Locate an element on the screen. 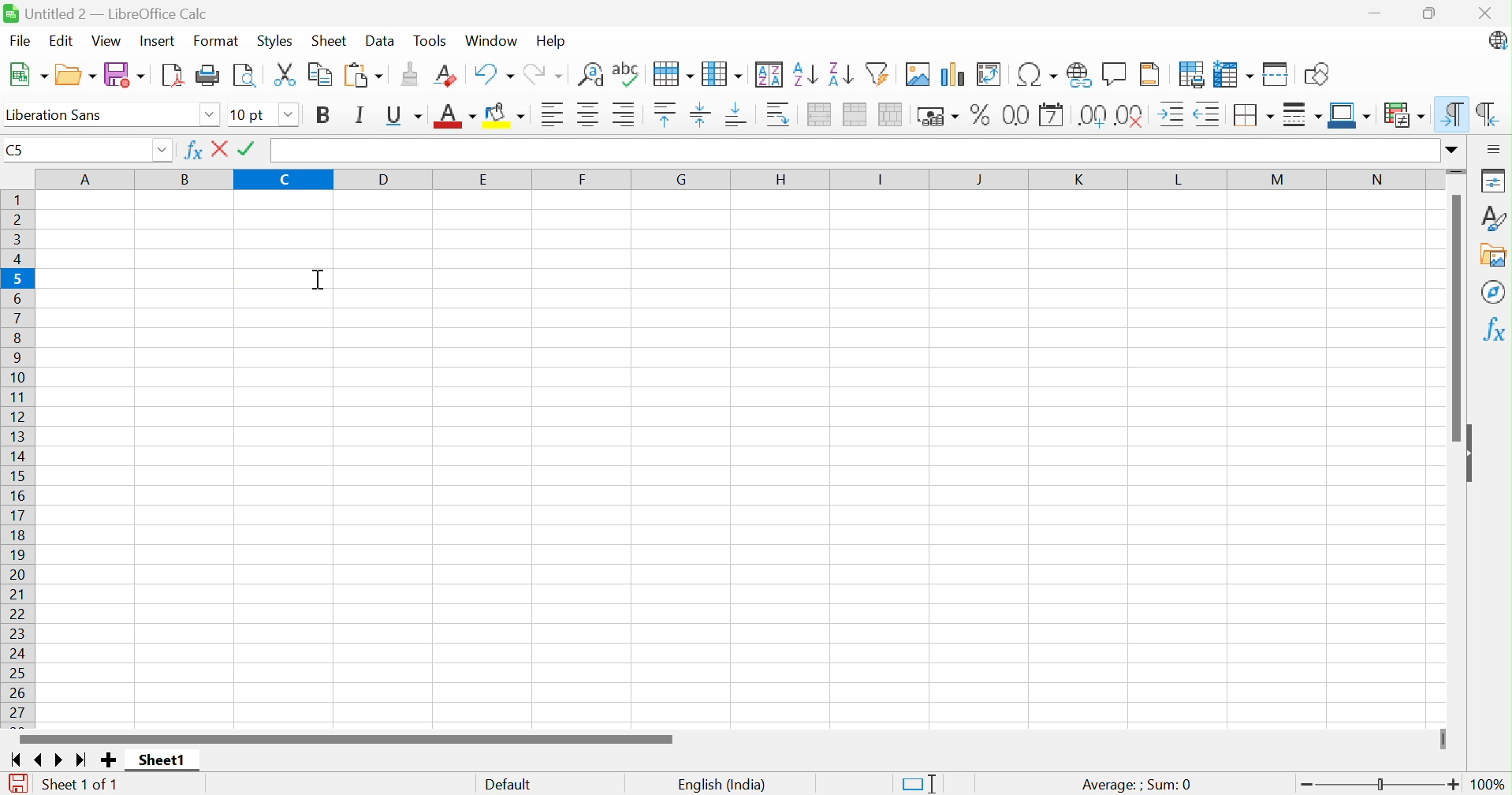 Image resolution: width=1512 pixels, height=795 pixels. Export as PDF is located at coordinates (170, 75).